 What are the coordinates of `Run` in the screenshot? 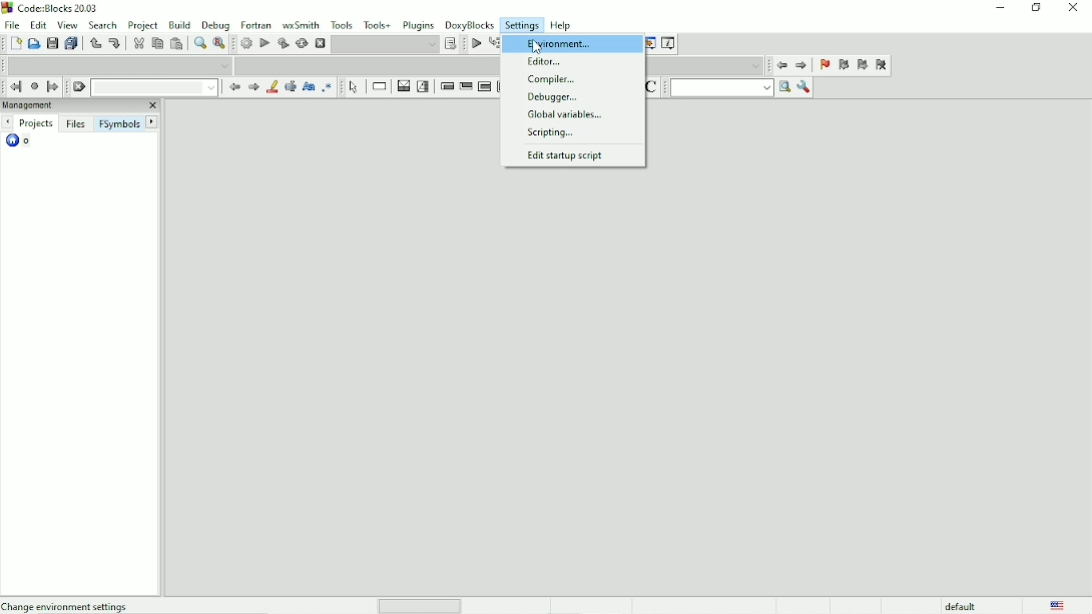 It's located at (264, 43).